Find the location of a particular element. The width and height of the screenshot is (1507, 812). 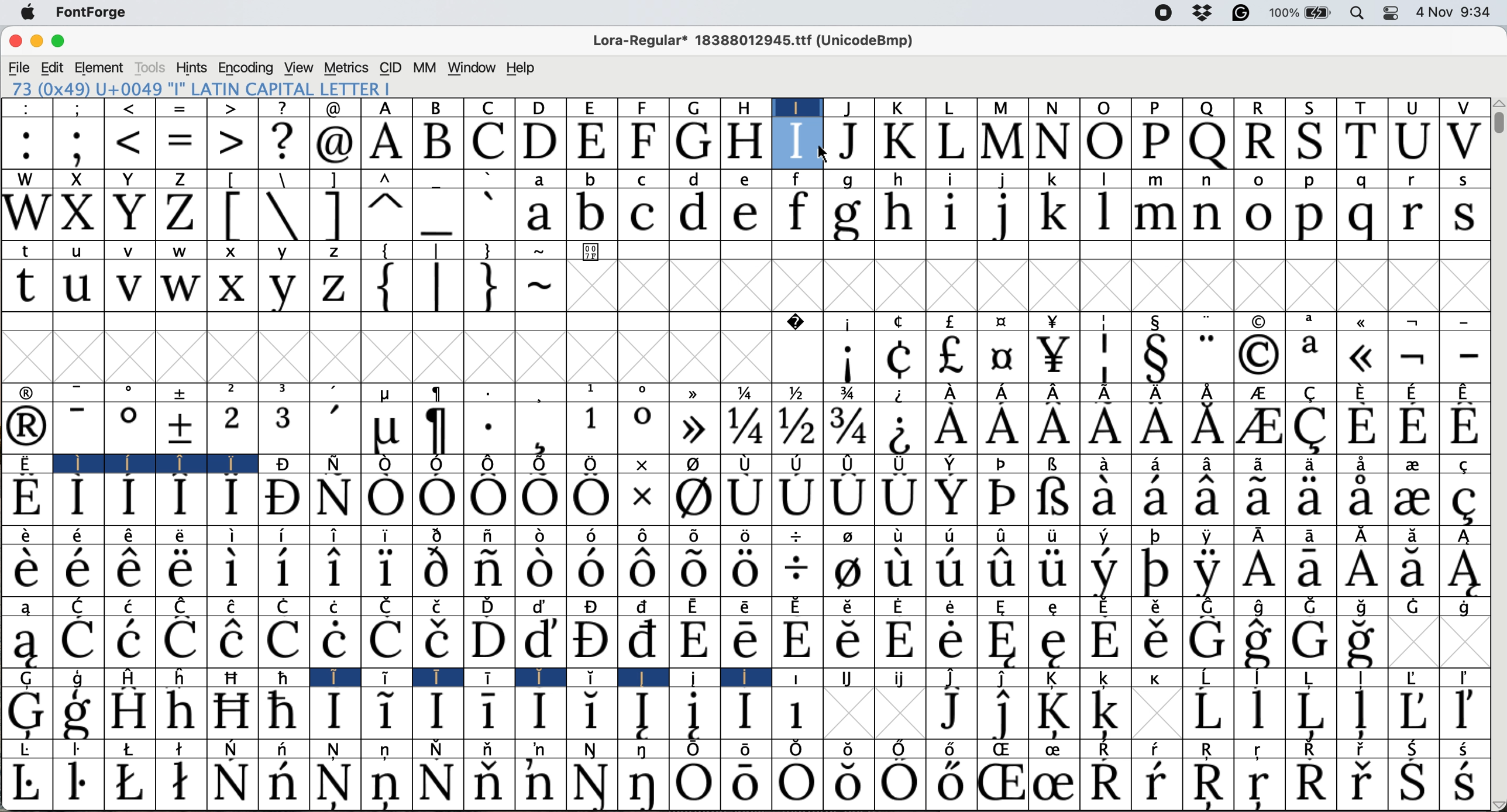

Symbol is located at coordinates (442, 676).